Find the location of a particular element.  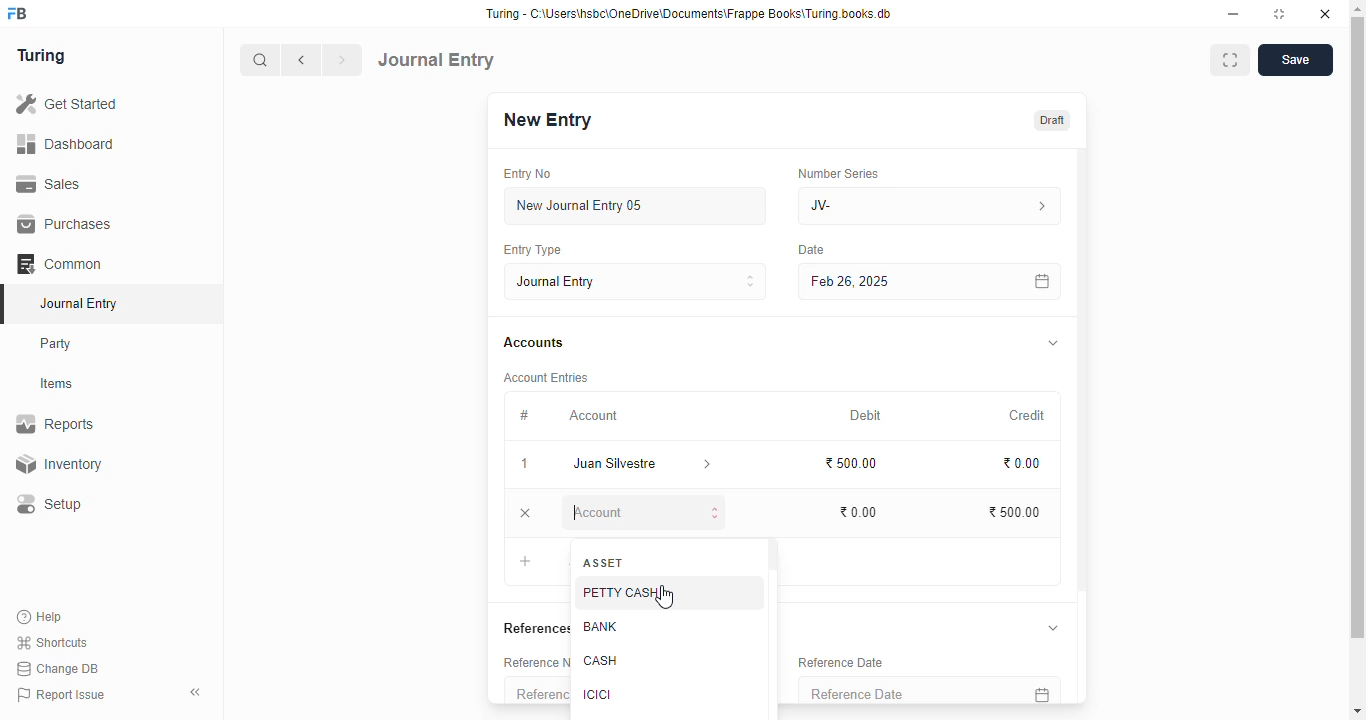

toggle maximize is located at coordinates (1280, 14).